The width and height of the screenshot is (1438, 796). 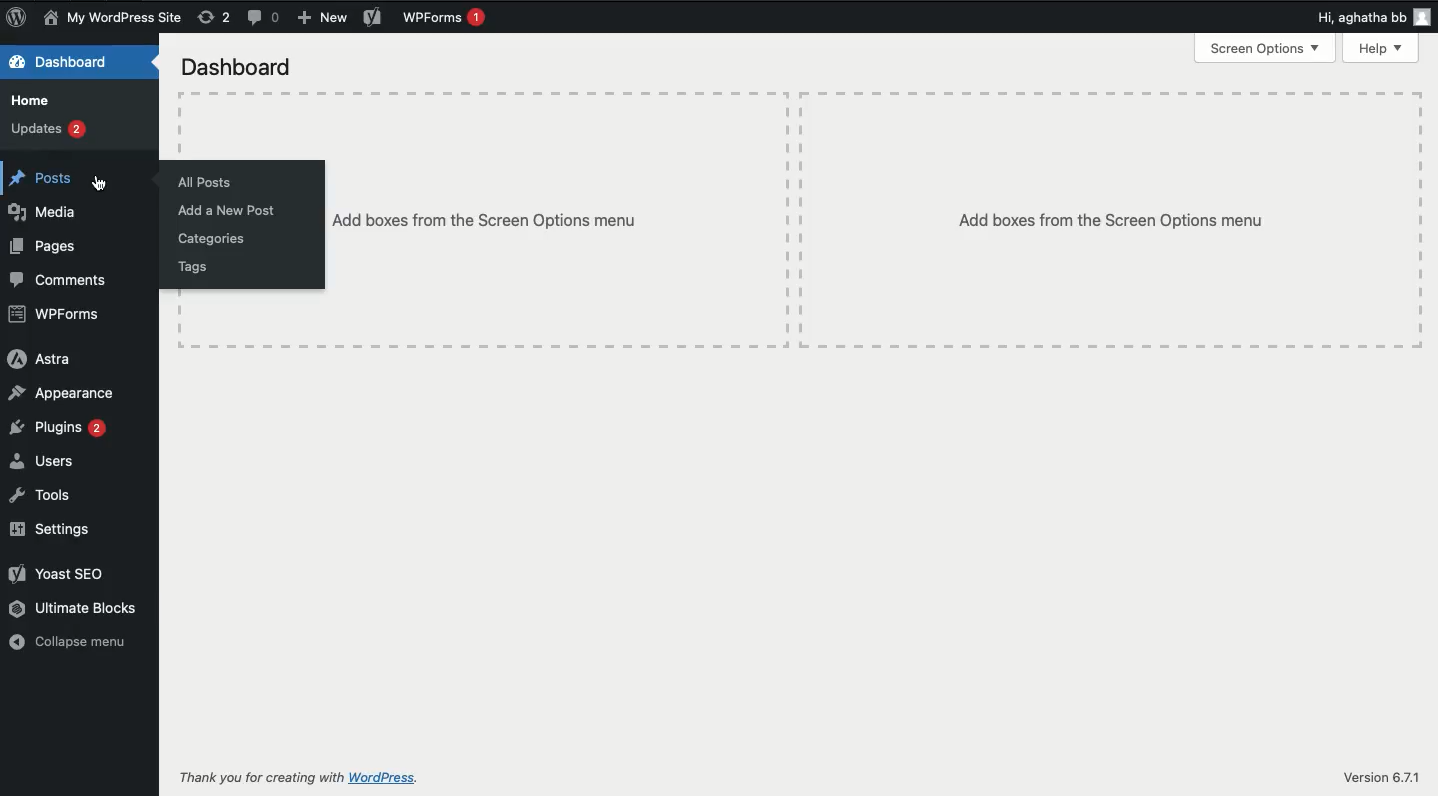 What do you see at coordinates (191, 269) in the screenshot?
I see `Tags` at bounding box center [191, 269].